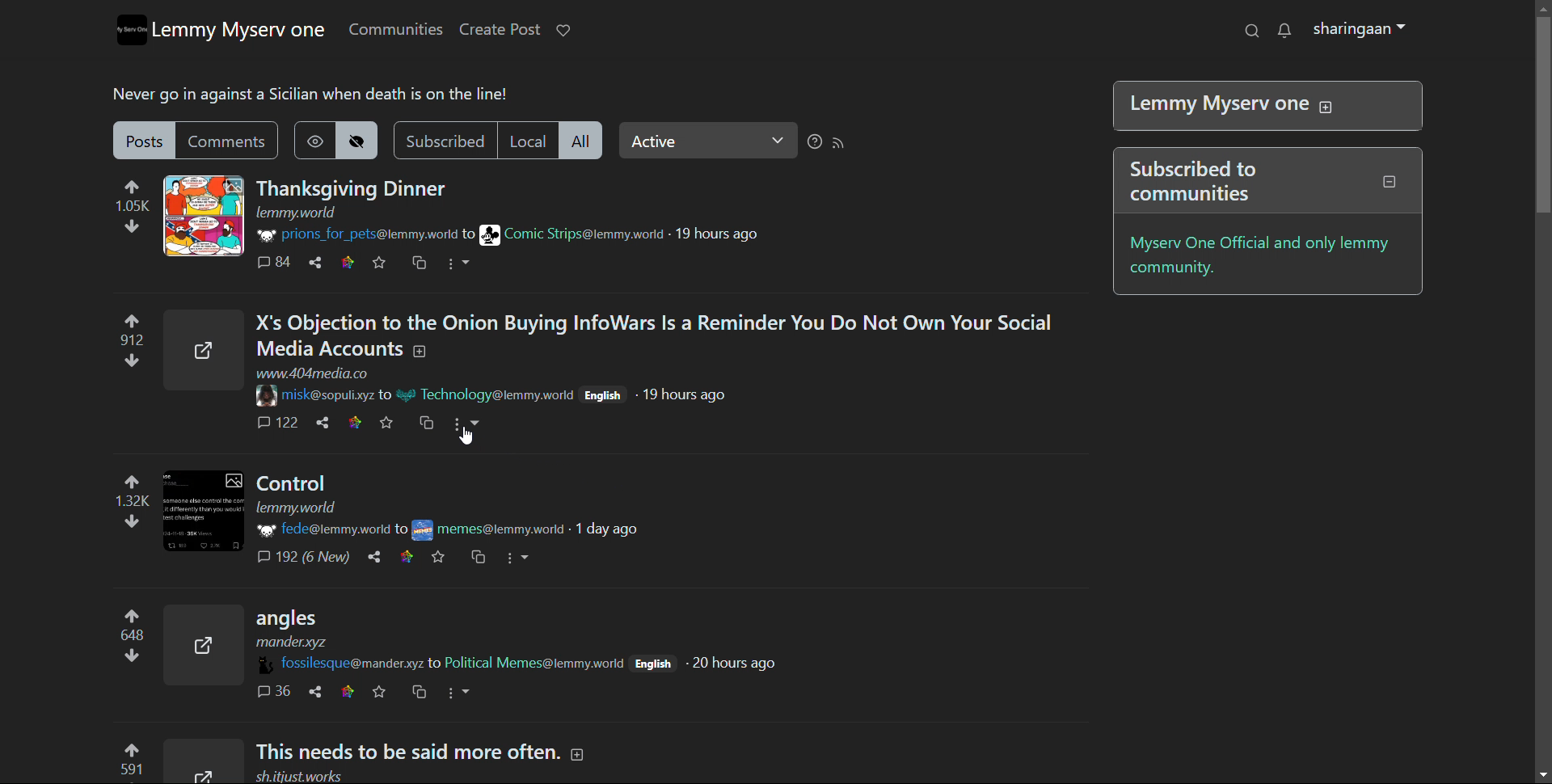  Describe the element at coordinates (308, 558) in the screenshot. I see `Comments` at that location.